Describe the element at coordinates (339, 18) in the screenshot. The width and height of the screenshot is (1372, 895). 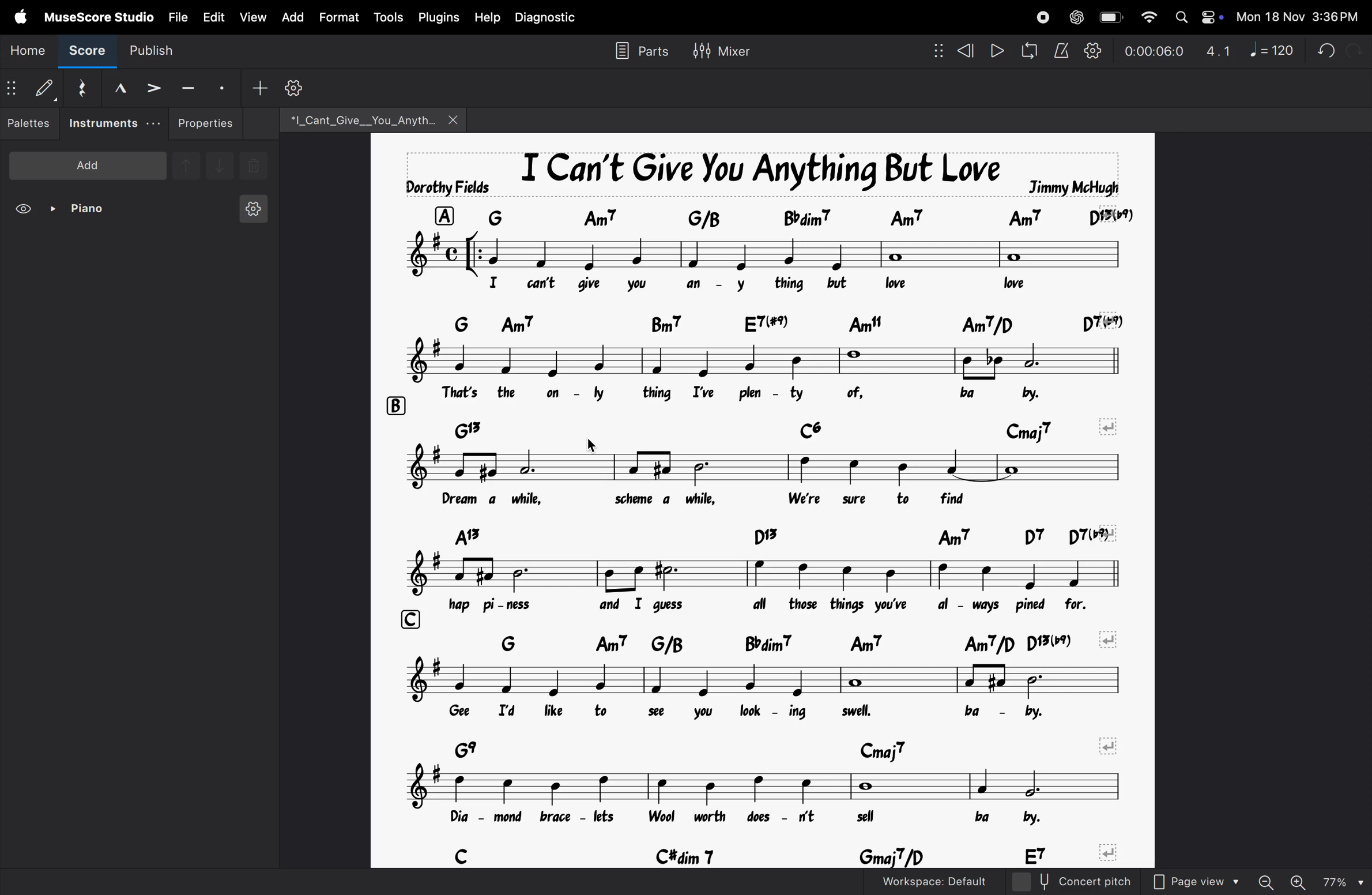
I see `format` at that location.